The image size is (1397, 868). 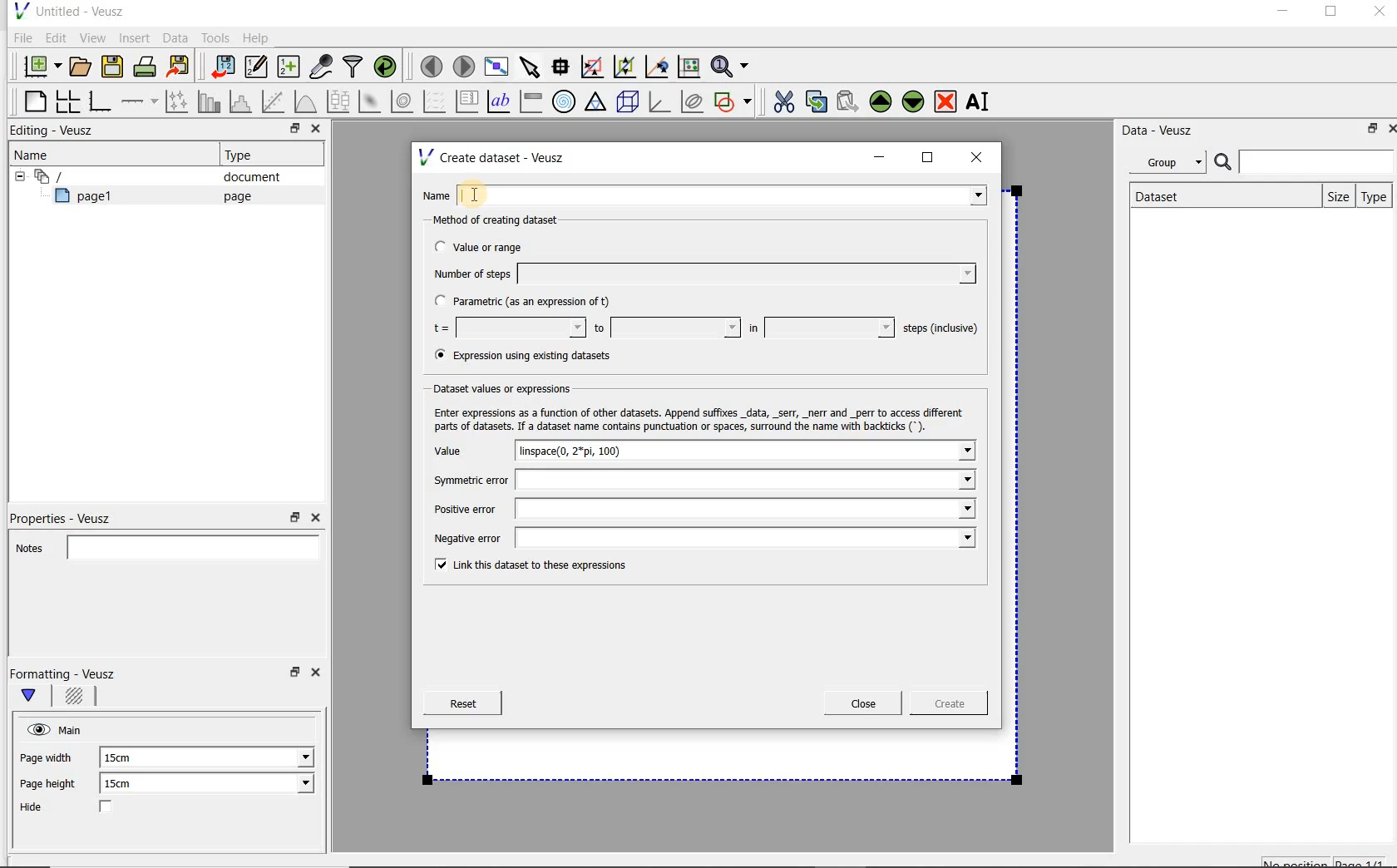 What do you see at coordinates (597, 102) in the screenshot?
I see `ternary graph` at bounding box center [597, 102].